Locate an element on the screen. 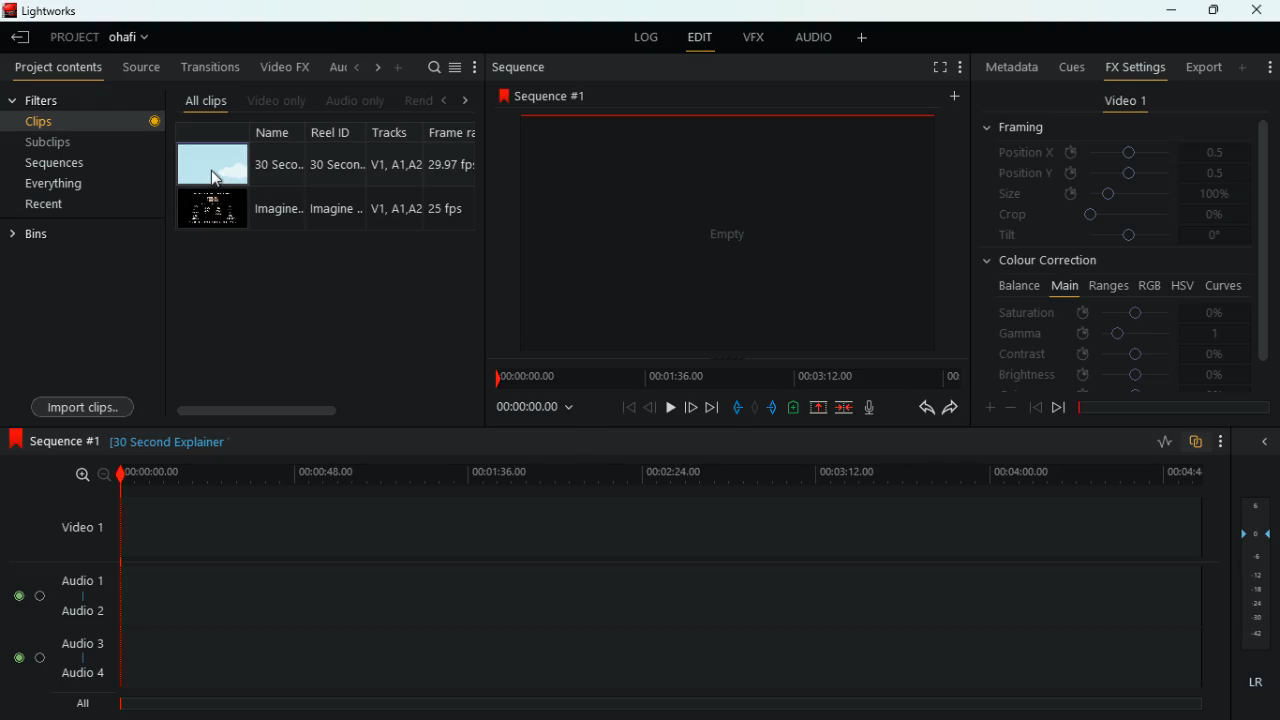  forward is located at coordinates (691, 407).